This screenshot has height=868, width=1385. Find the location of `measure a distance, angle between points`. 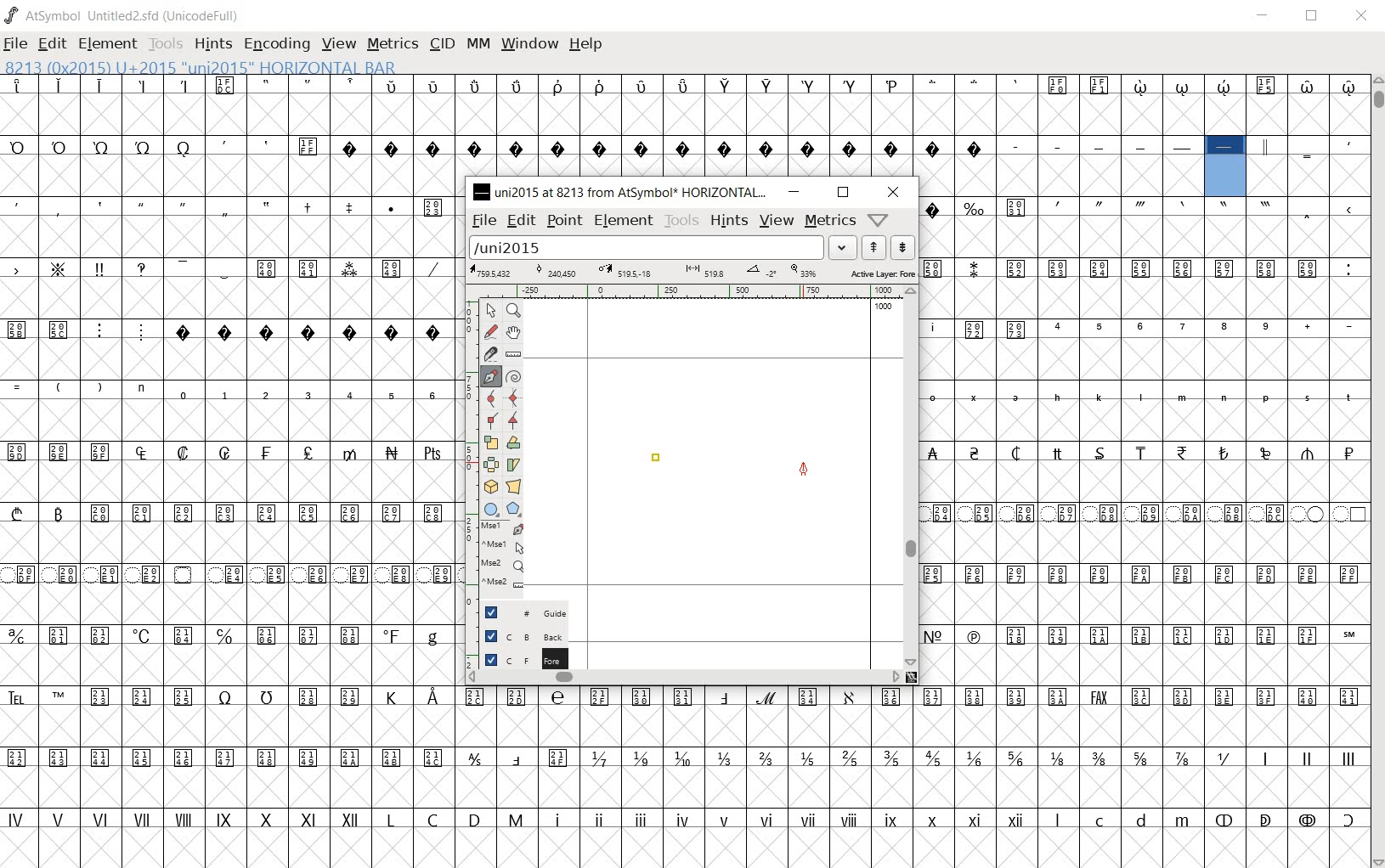

measure a distance, angle between points is located at coordinates (514, 354).